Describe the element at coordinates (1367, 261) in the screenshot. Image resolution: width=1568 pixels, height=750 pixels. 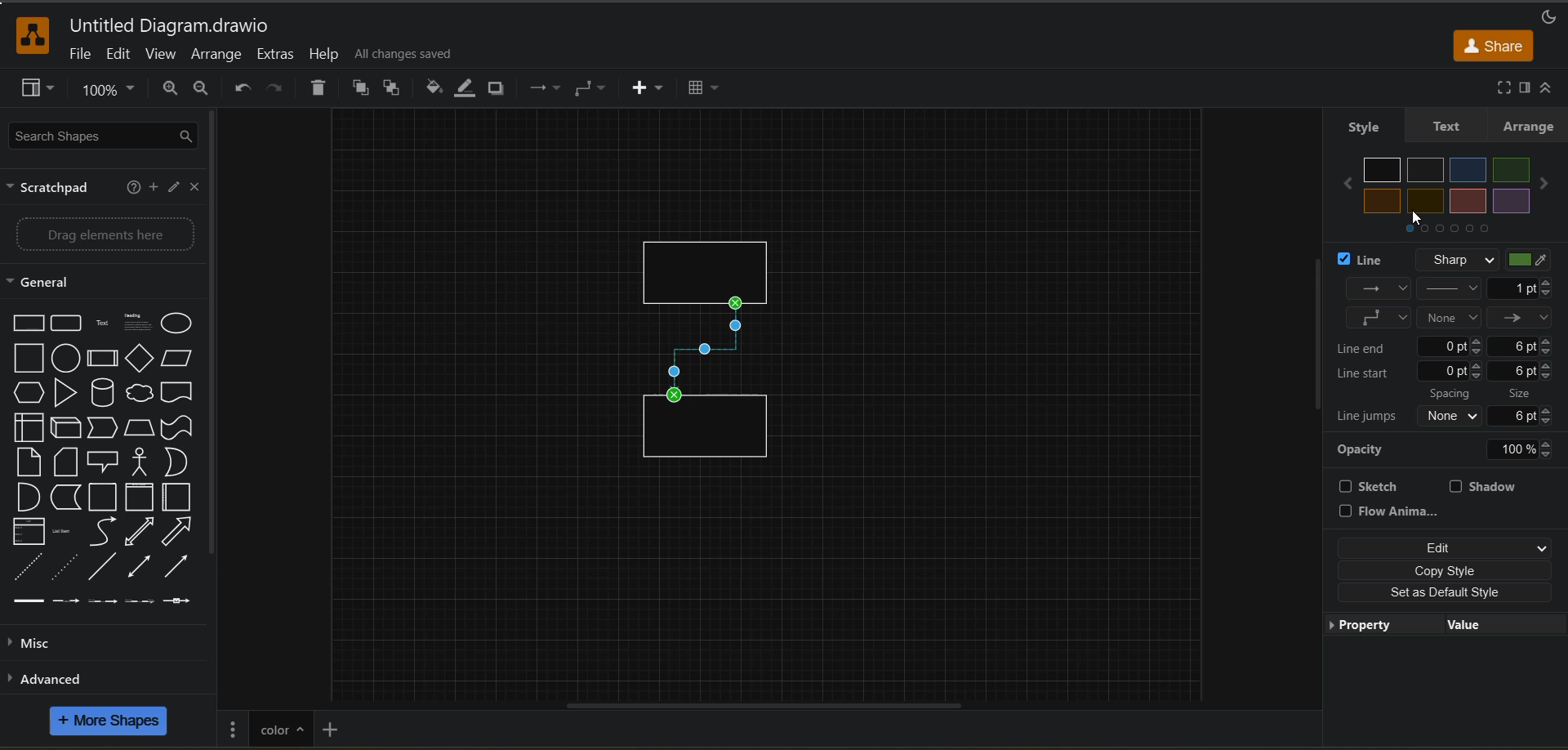
I see `Line` at that location.